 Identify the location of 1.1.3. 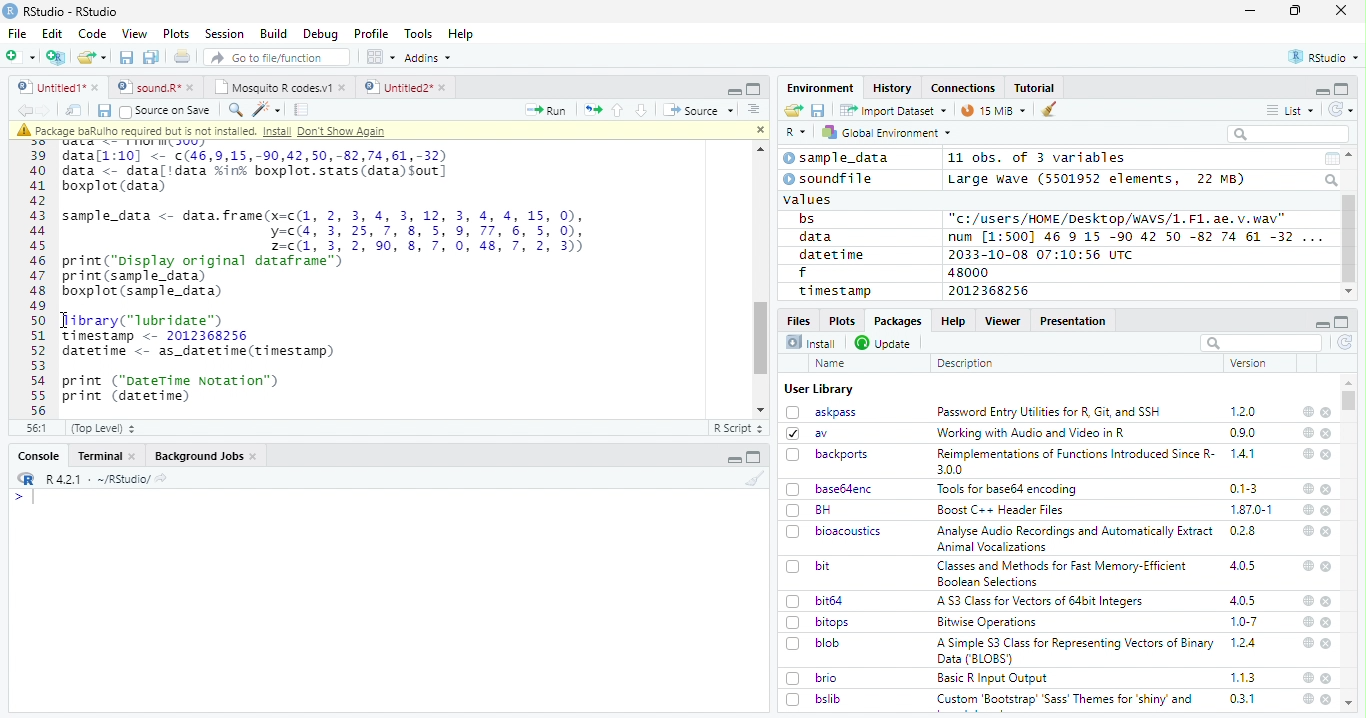
(1243, 677).